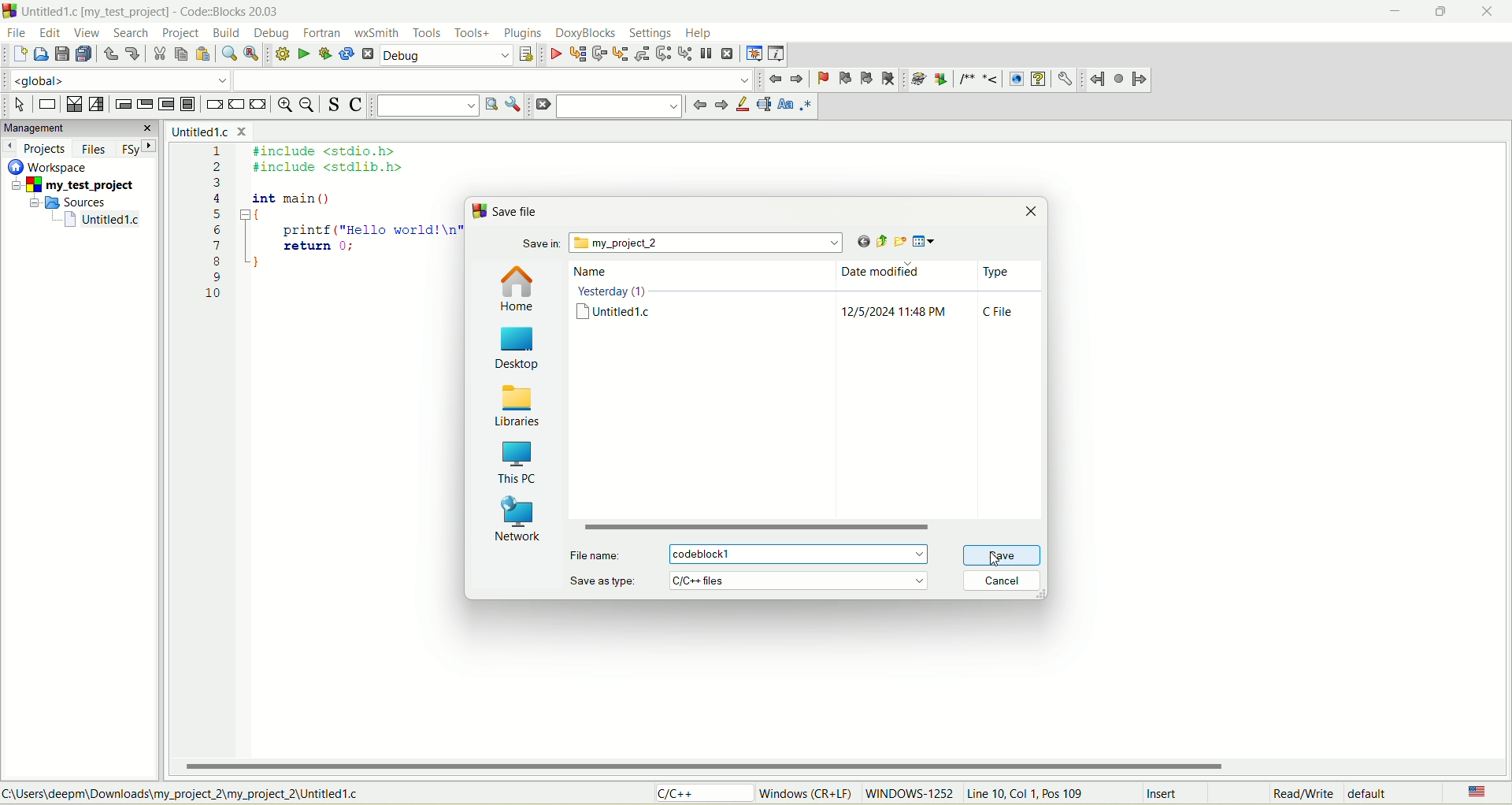 The image size is (1512, 805). I want to click on select, so click(20, 105).